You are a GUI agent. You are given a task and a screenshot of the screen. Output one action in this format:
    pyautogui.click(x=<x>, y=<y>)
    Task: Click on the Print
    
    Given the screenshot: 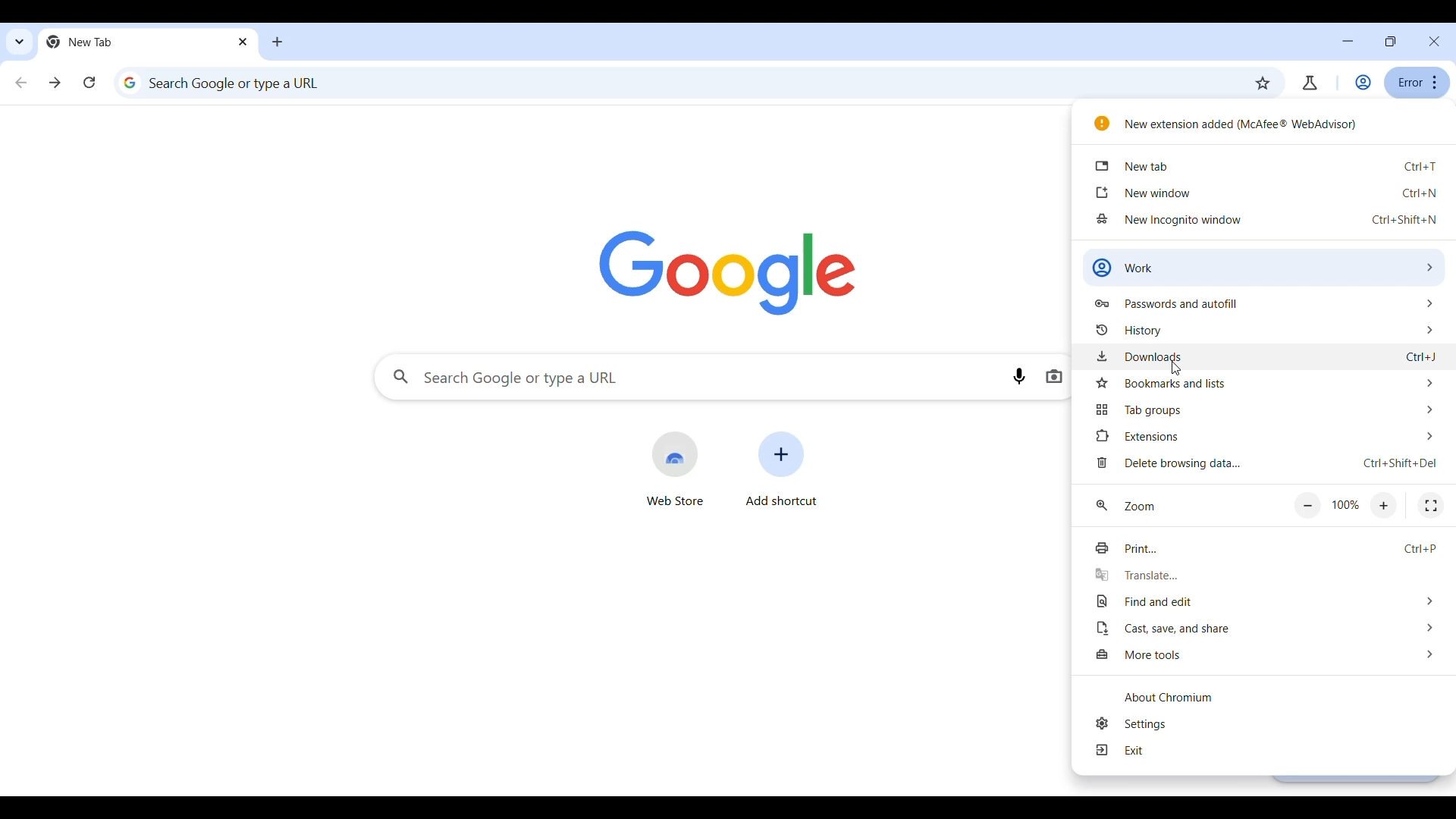 What is the action you would take?
    pyautogui.click(x=1266, y=548)
    